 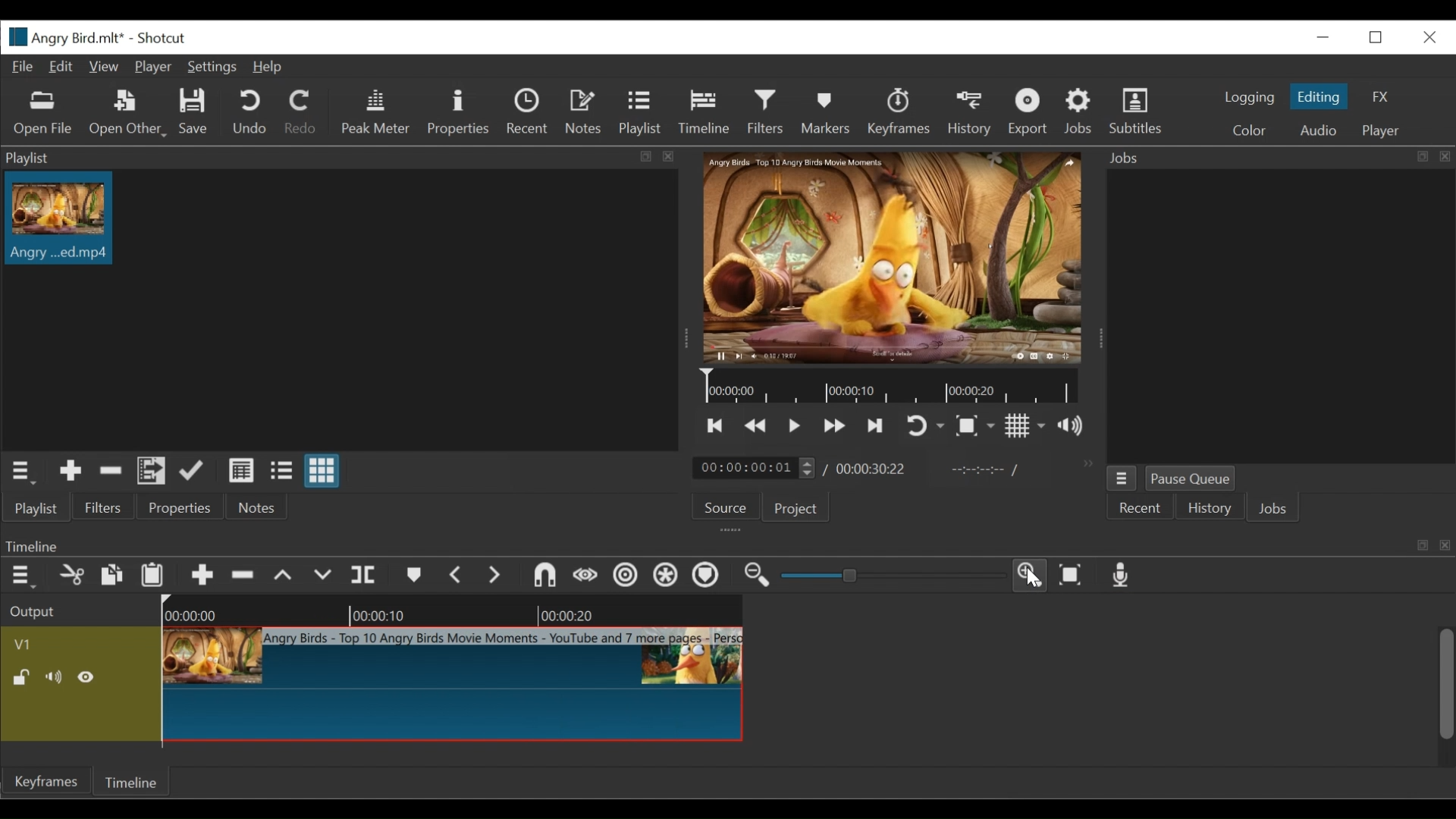 I want to click on mute, so click(x=56, y=678).